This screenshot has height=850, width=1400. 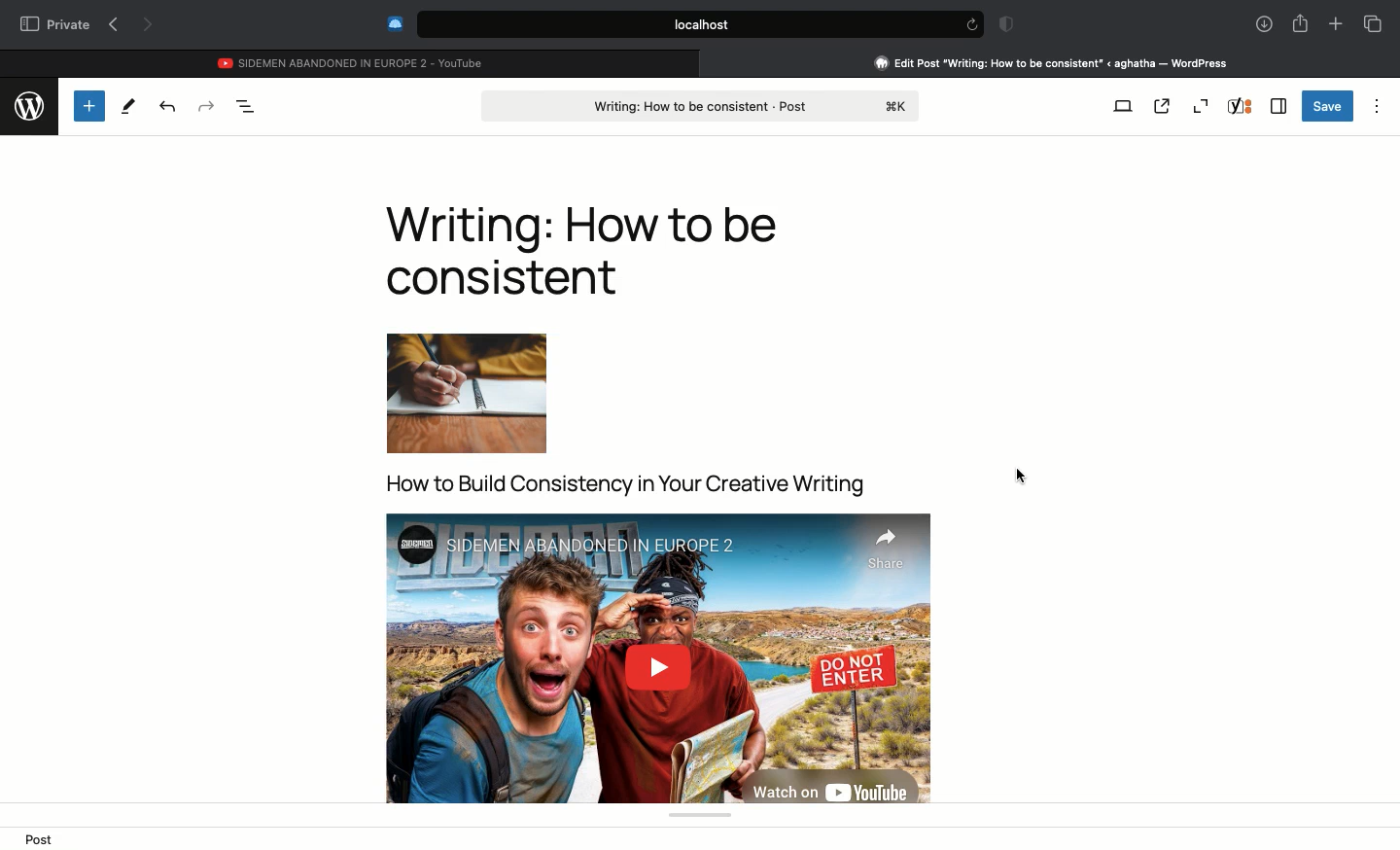 What do you see at coordinates (128, 107) in the screenshot?
I see `Tools` at bounding box center [128, 107].